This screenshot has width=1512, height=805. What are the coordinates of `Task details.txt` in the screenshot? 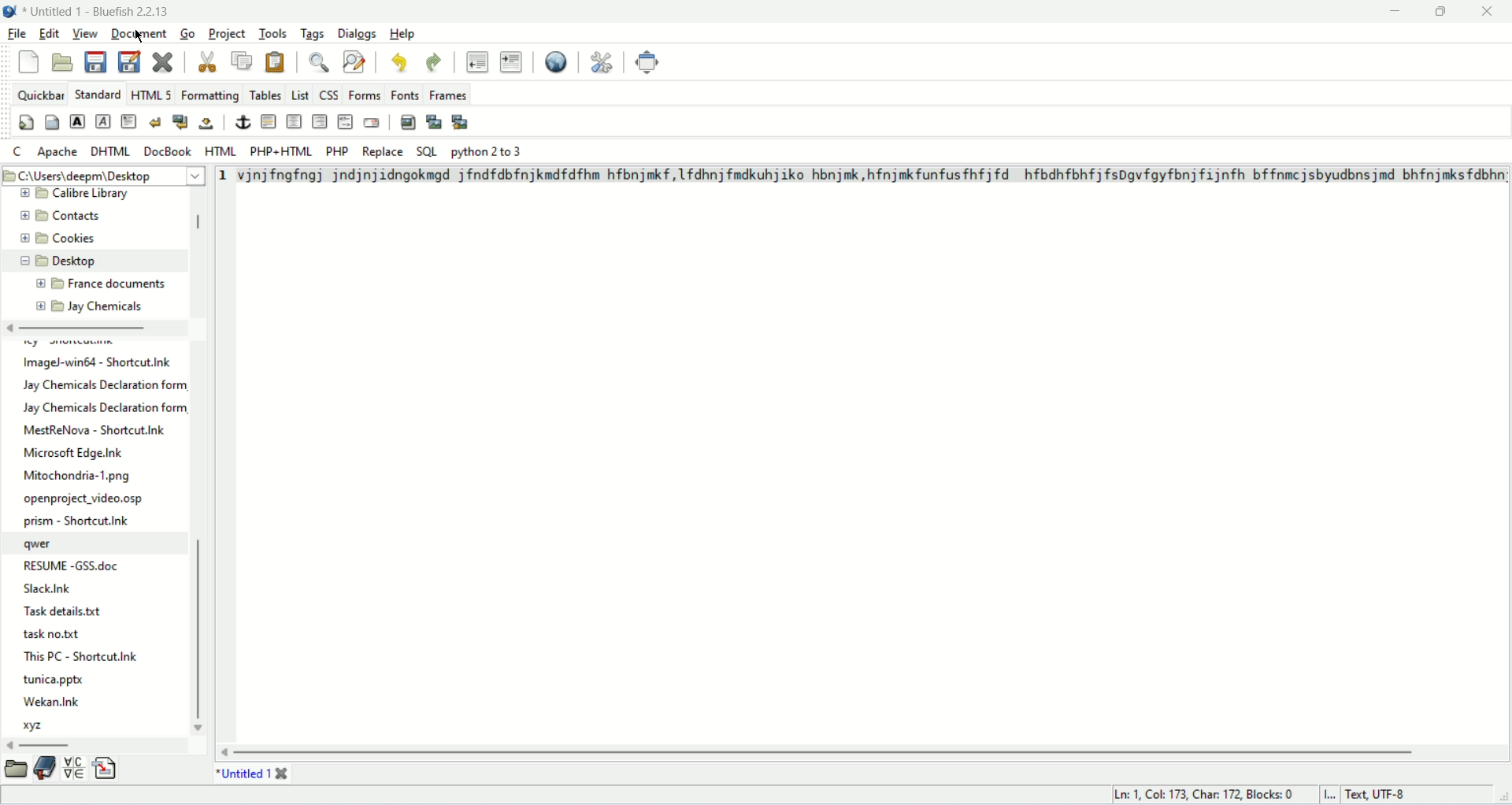 It's located at (67, 612).